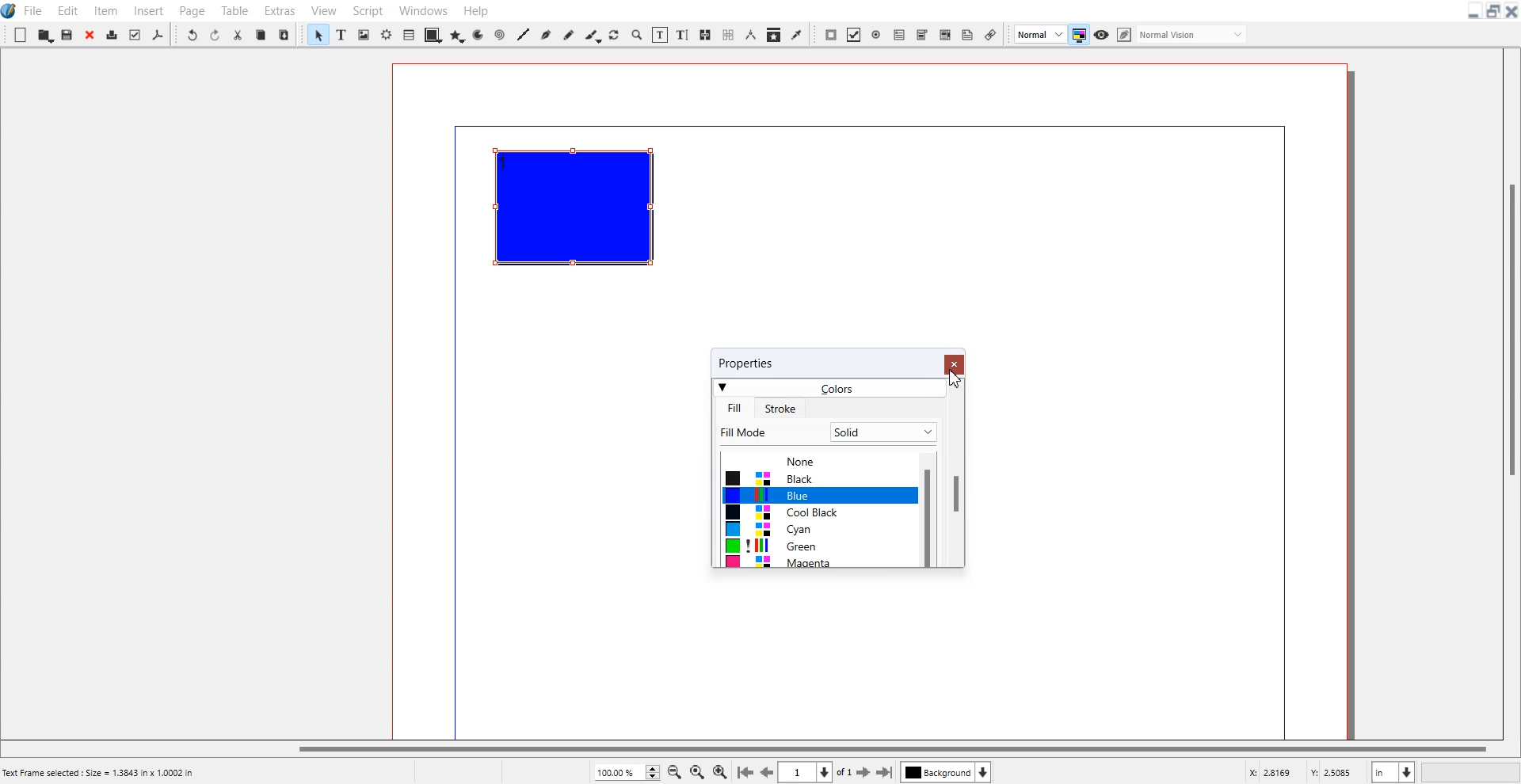 The image size is (1521, 784). What do you see at coordinates (684, 35) in the screenshot?
I see `Edit Text` at bounding box center [684, 35].